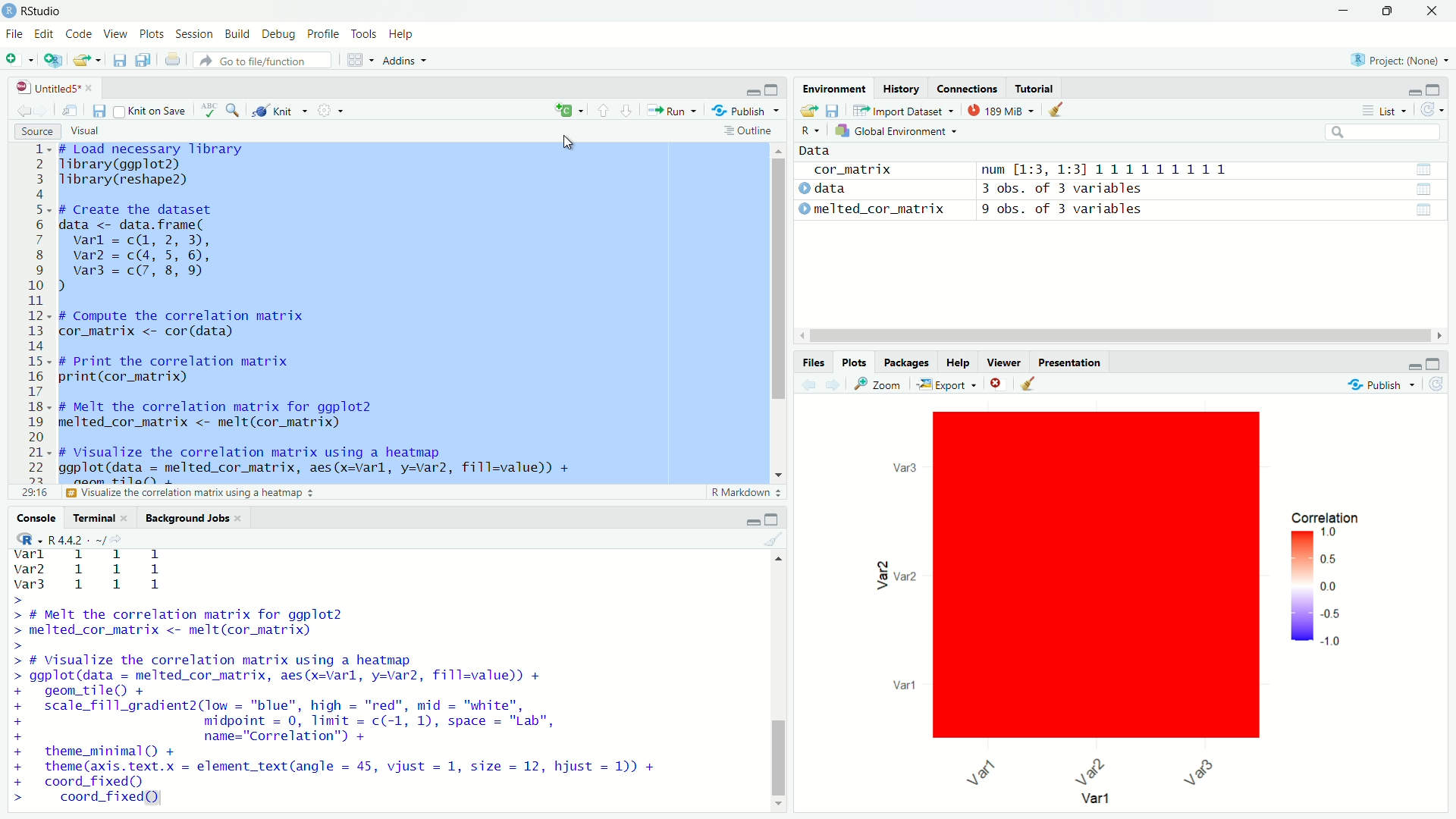 This screenshot has width=1456, height=819. I want to click on data 2 : data, so click(878, 190).